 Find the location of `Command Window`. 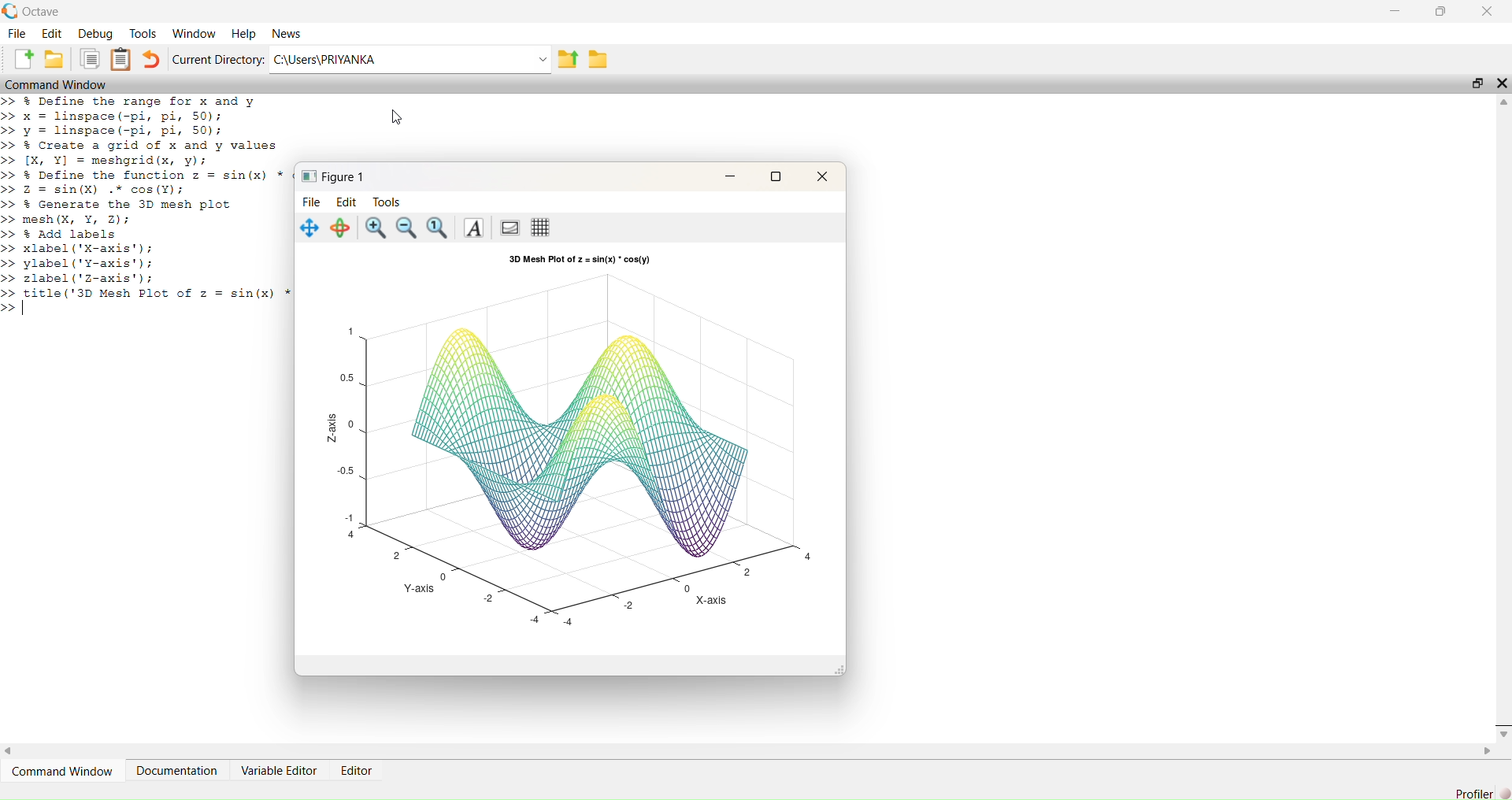

Command Window is located at coordinates (66, 770).